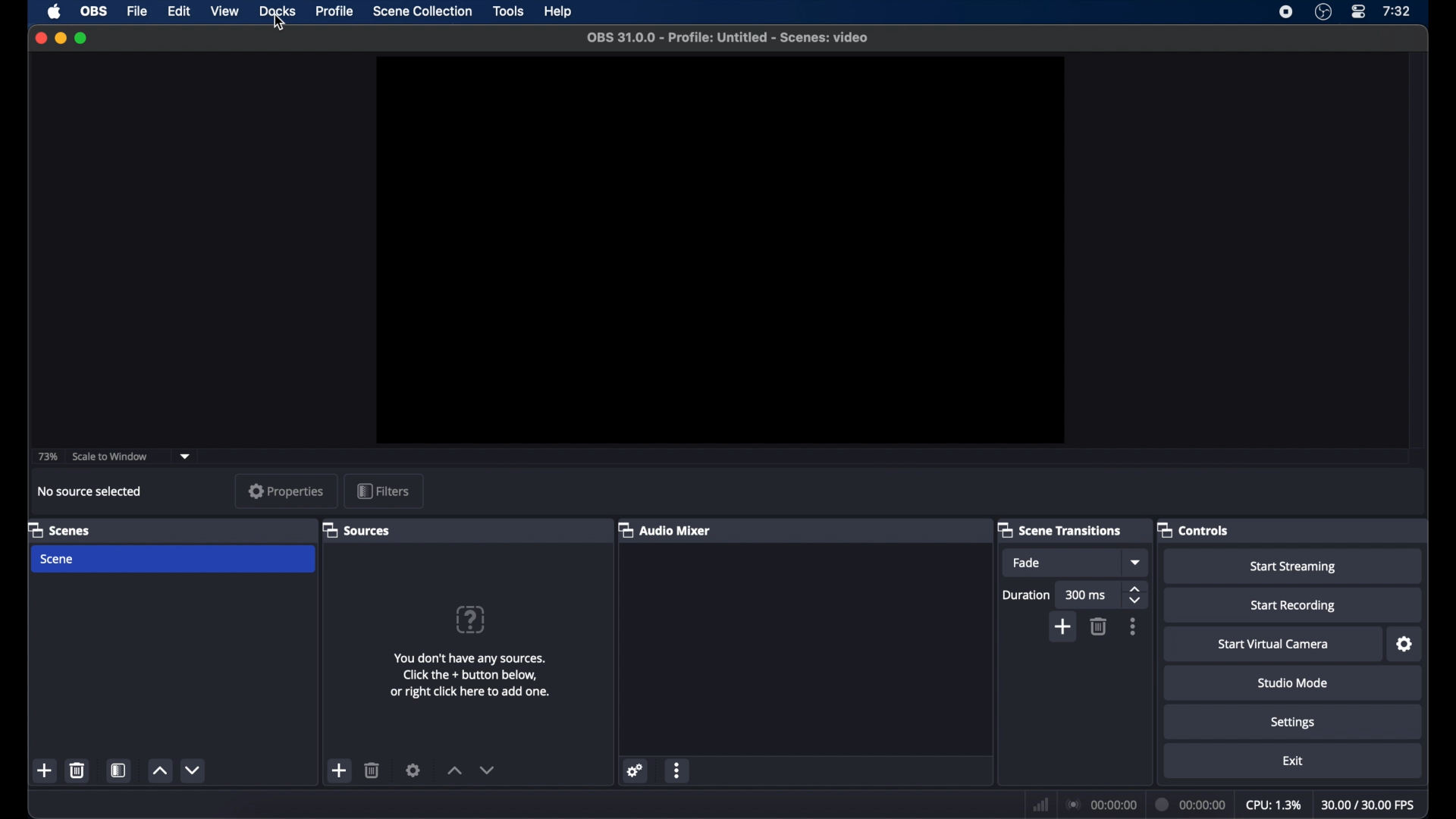 The image size is (1456, 819). Describe the element at coordinates (509, 11) in the screenshot. I see `tools` at that location.